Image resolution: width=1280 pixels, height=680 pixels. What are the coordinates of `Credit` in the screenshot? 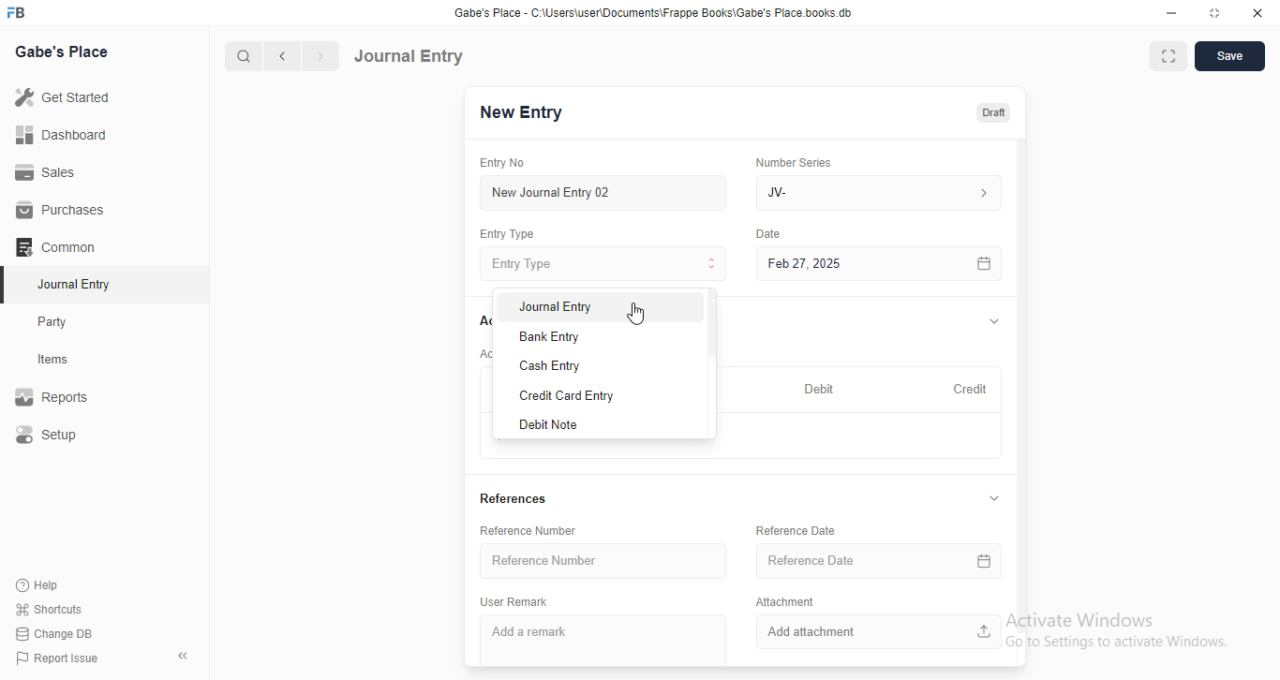 It's located at (971, 390).